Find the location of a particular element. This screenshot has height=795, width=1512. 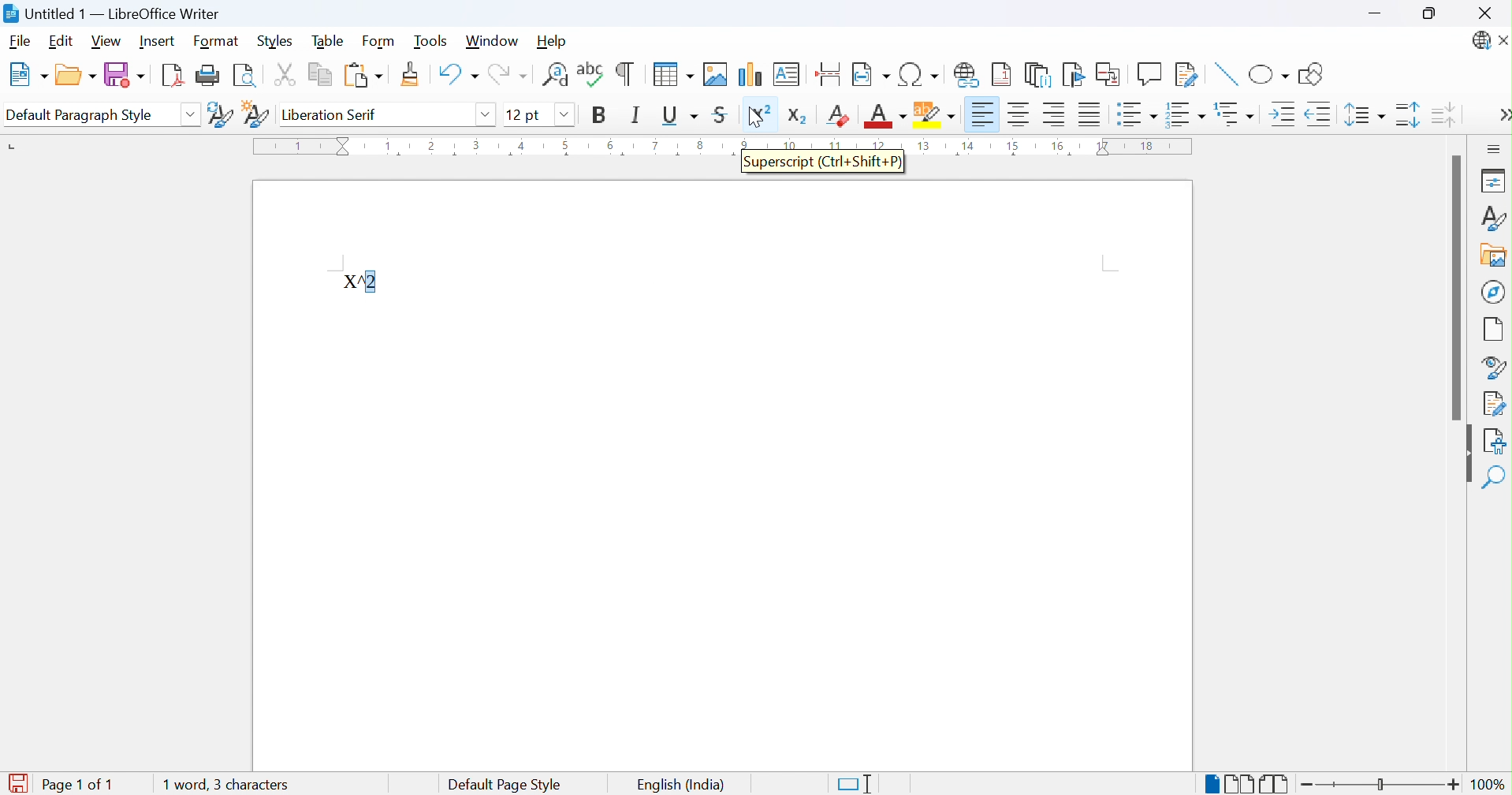

Font color is located at coordinates (885, 115).